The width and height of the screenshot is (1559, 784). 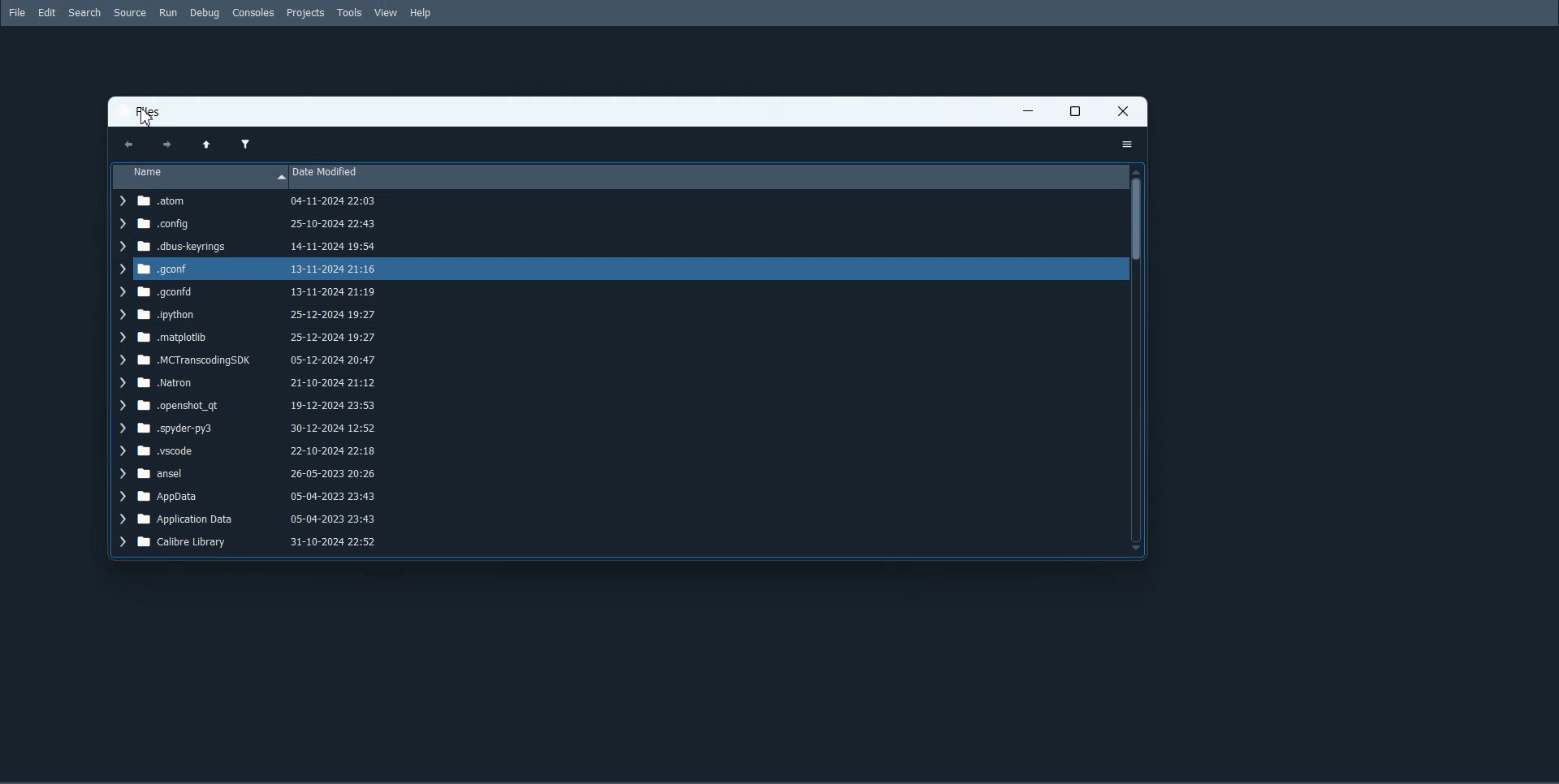 I want to click on Date Modified, so click(x=709, y=175).